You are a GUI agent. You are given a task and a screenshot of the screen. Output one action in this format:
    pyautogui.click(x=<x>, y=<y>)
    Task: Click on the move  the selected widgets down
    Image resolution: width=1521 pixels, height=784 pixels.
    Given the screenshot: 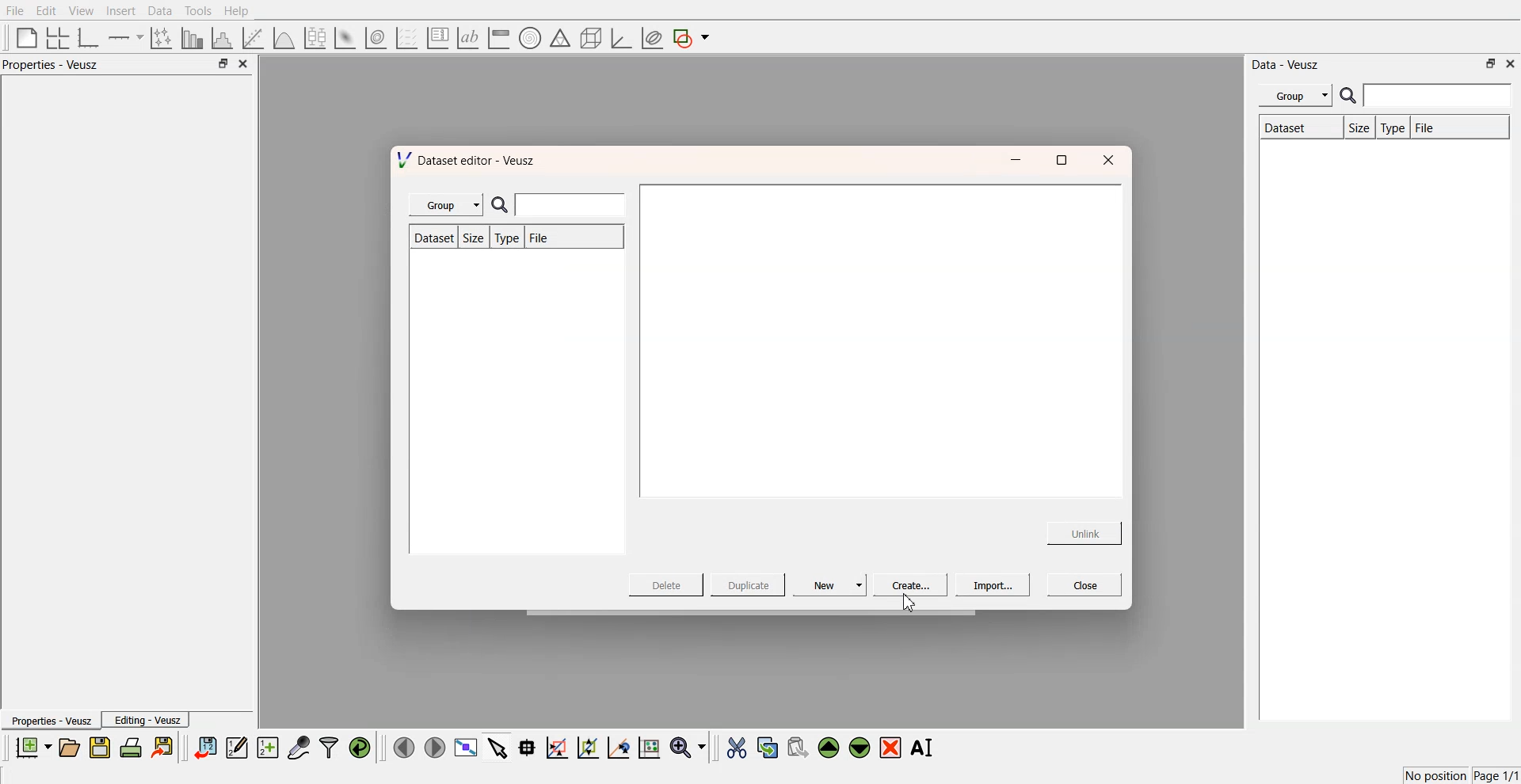 What is the action you would take?
    pyautogui.click(x=860, y=746)
    